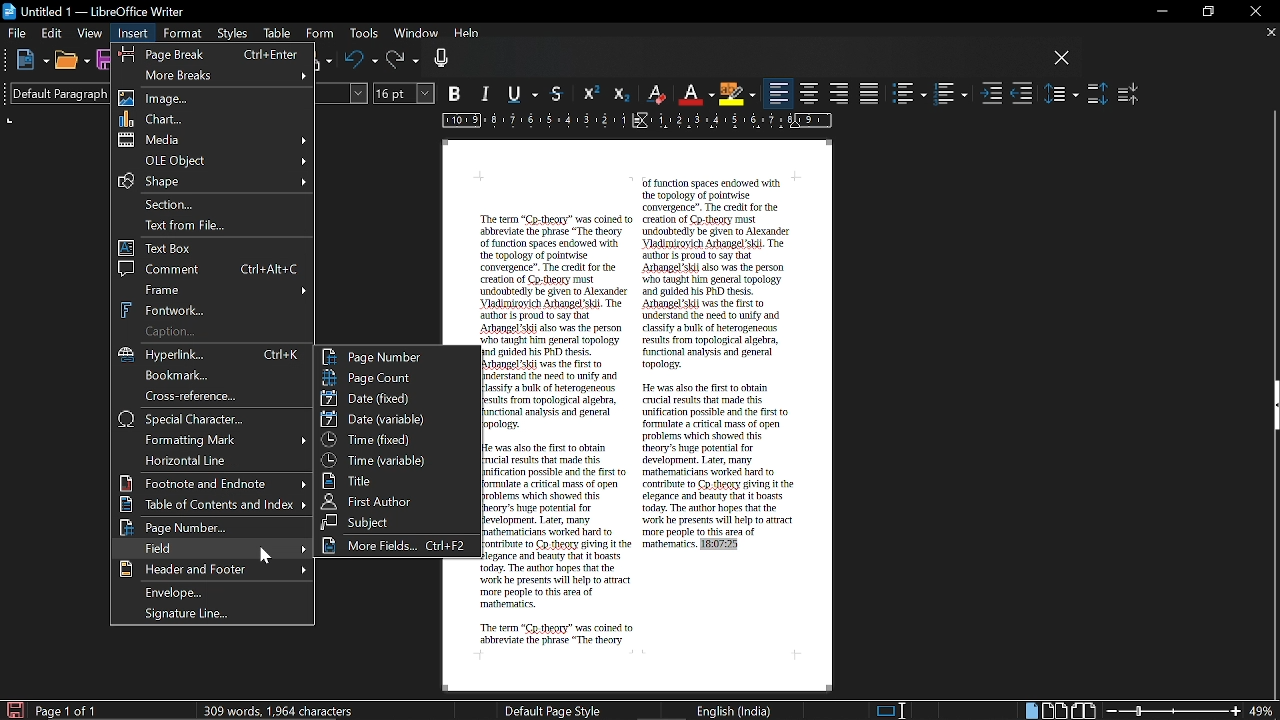 The width and height of the screenshot is (1280, 720). I want to click on Time variable, so click(396, 458).